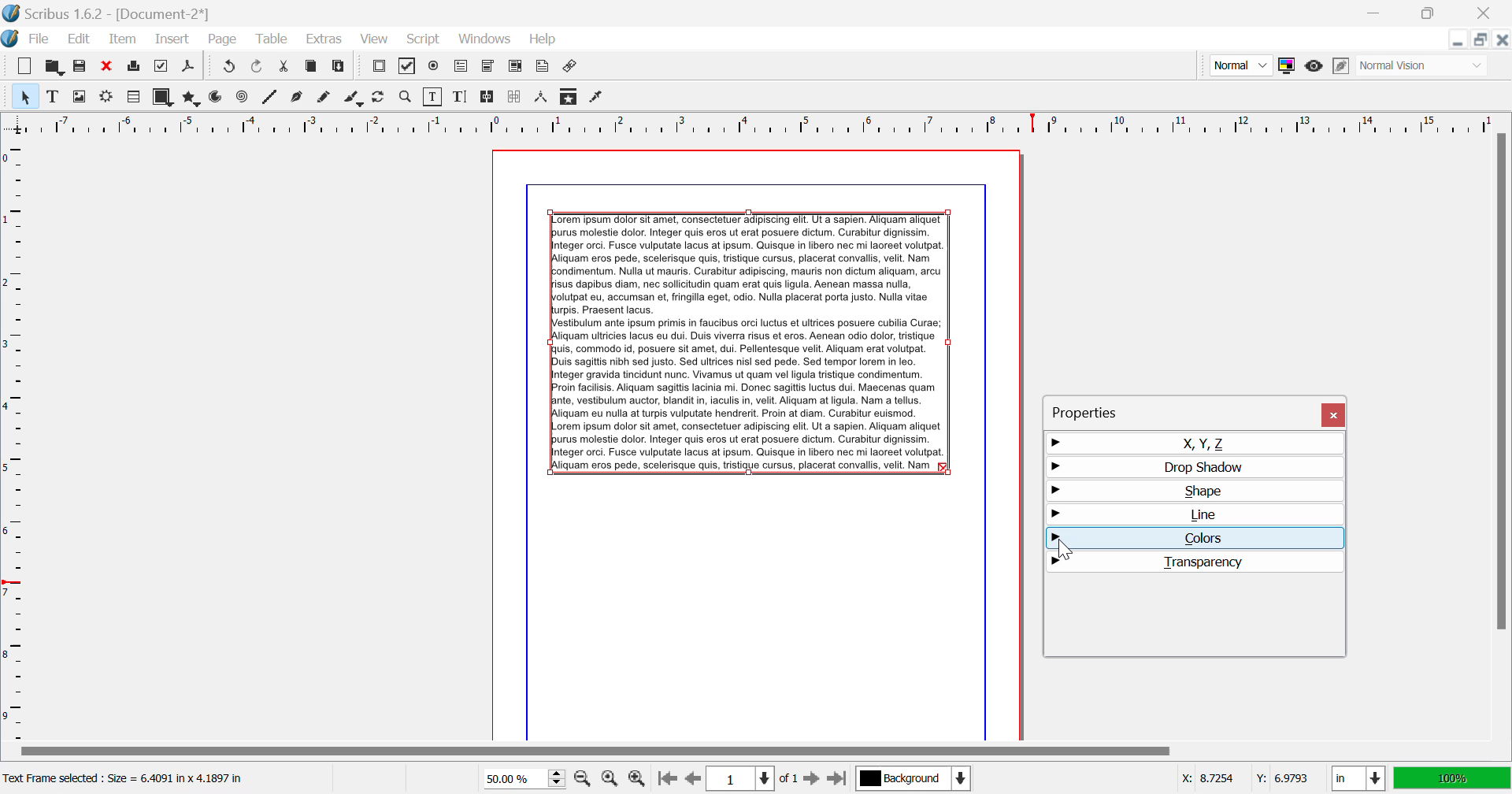  What do you see at coordinates (217, 98) in the screenshot?
I see `Arcs` at bounding box center [217, 98].